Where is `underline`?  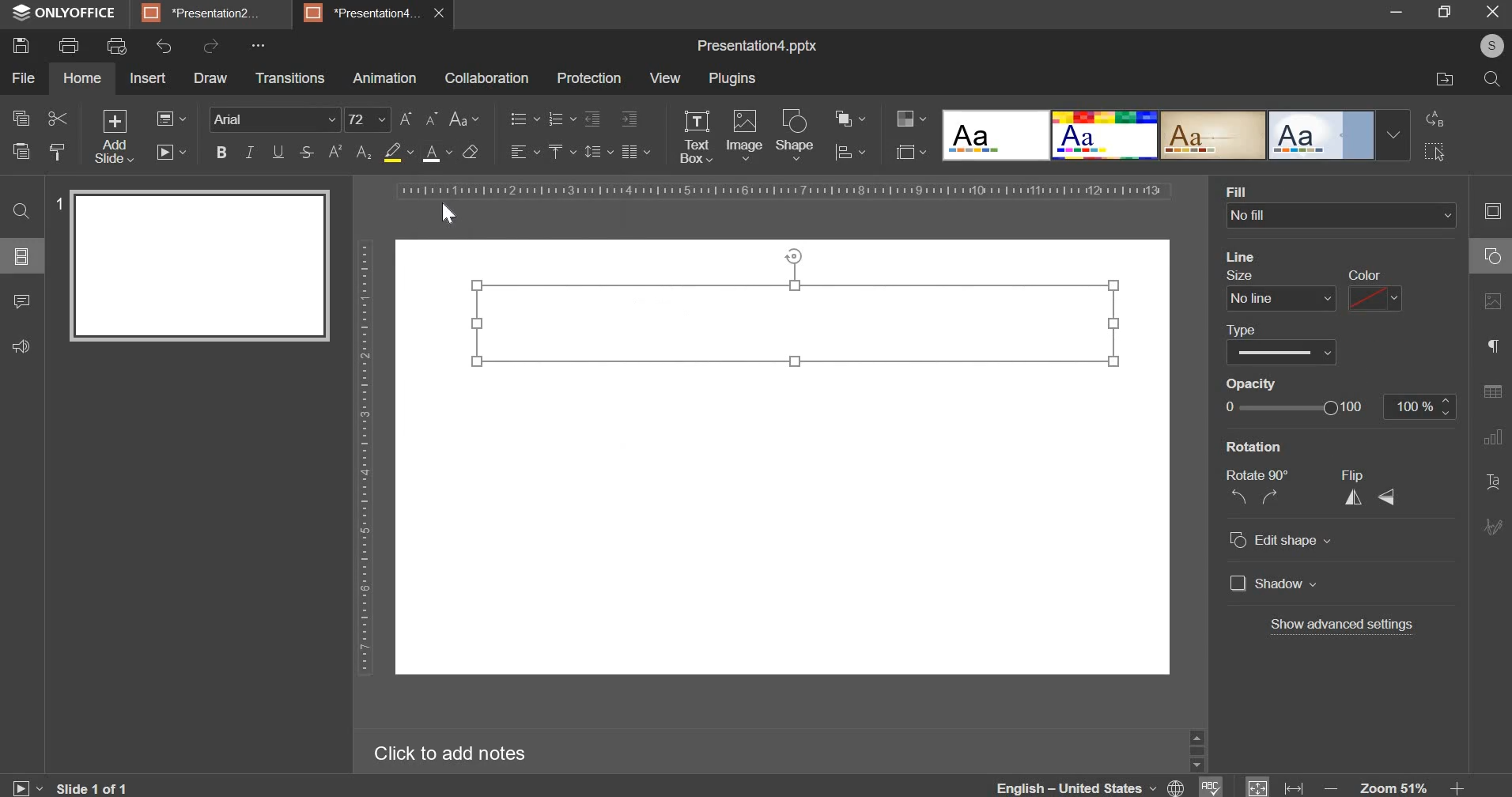
underline is located at coordinates (278, 152).